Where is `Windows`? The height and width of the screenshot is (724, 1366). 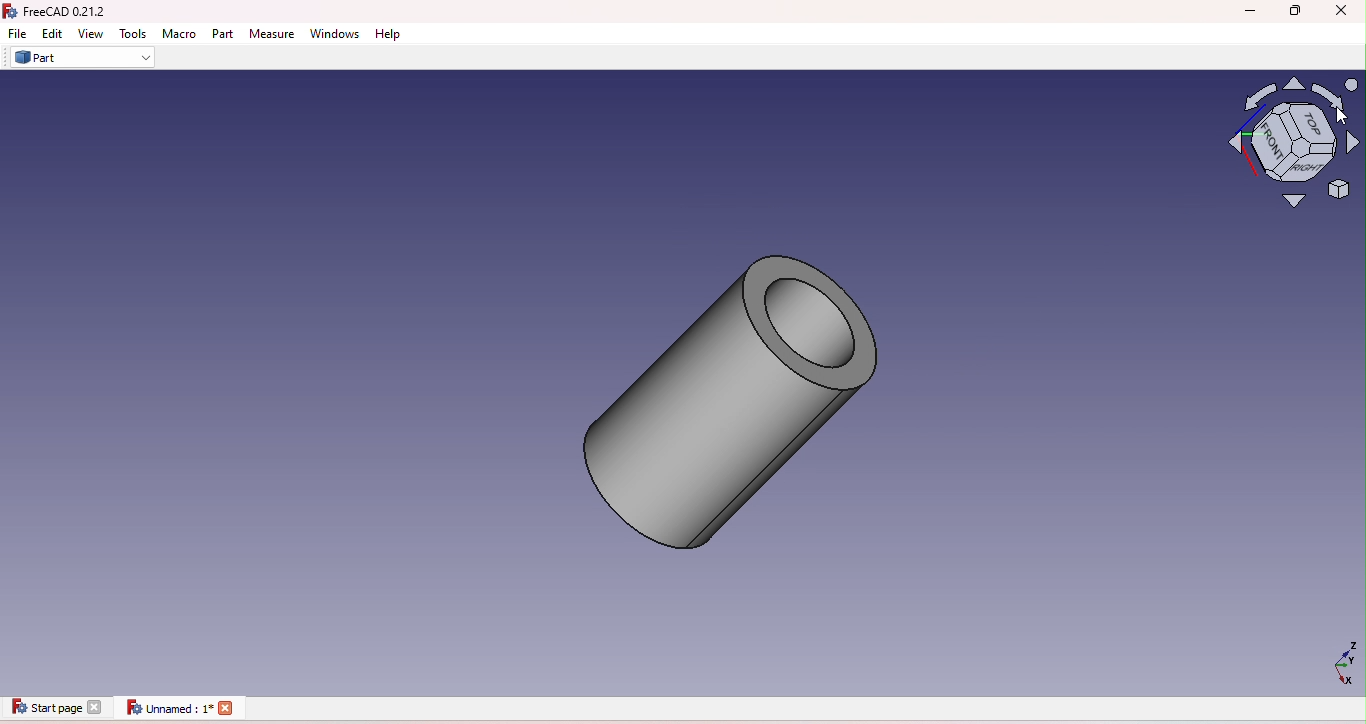
Windows is located at coordinates (339, 34).